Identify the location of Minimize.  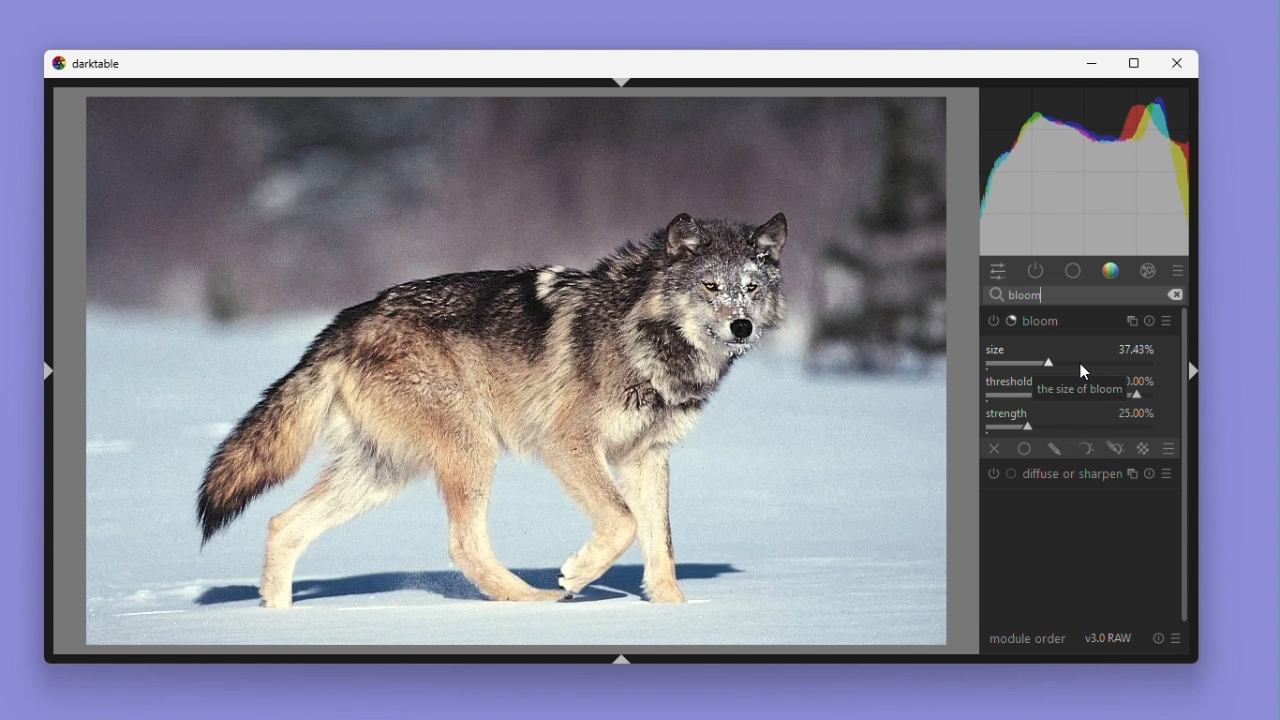
(1093, 64).